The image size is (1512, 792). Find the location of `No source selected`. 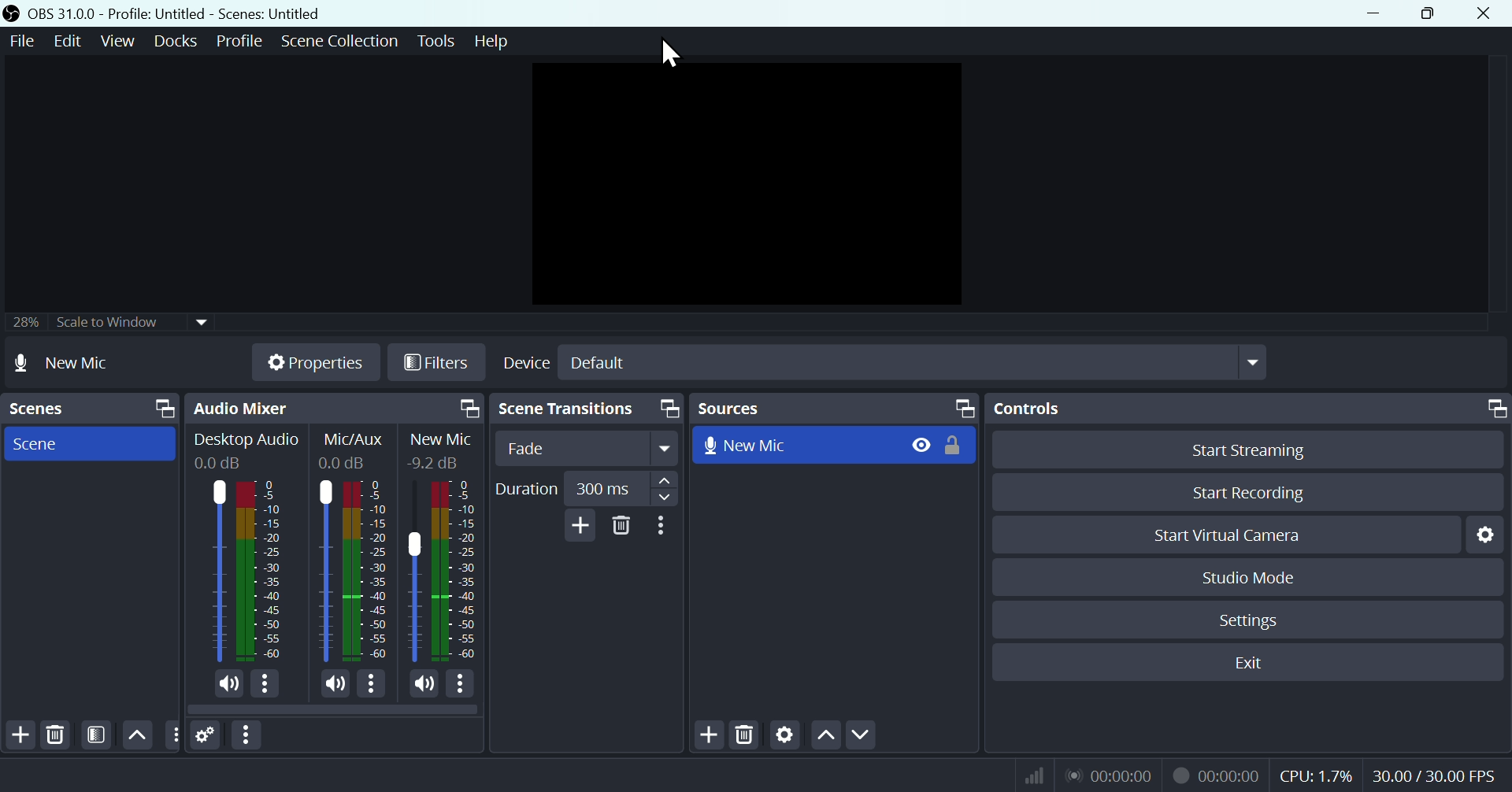

No source selected is located at coordinates (80, 362).